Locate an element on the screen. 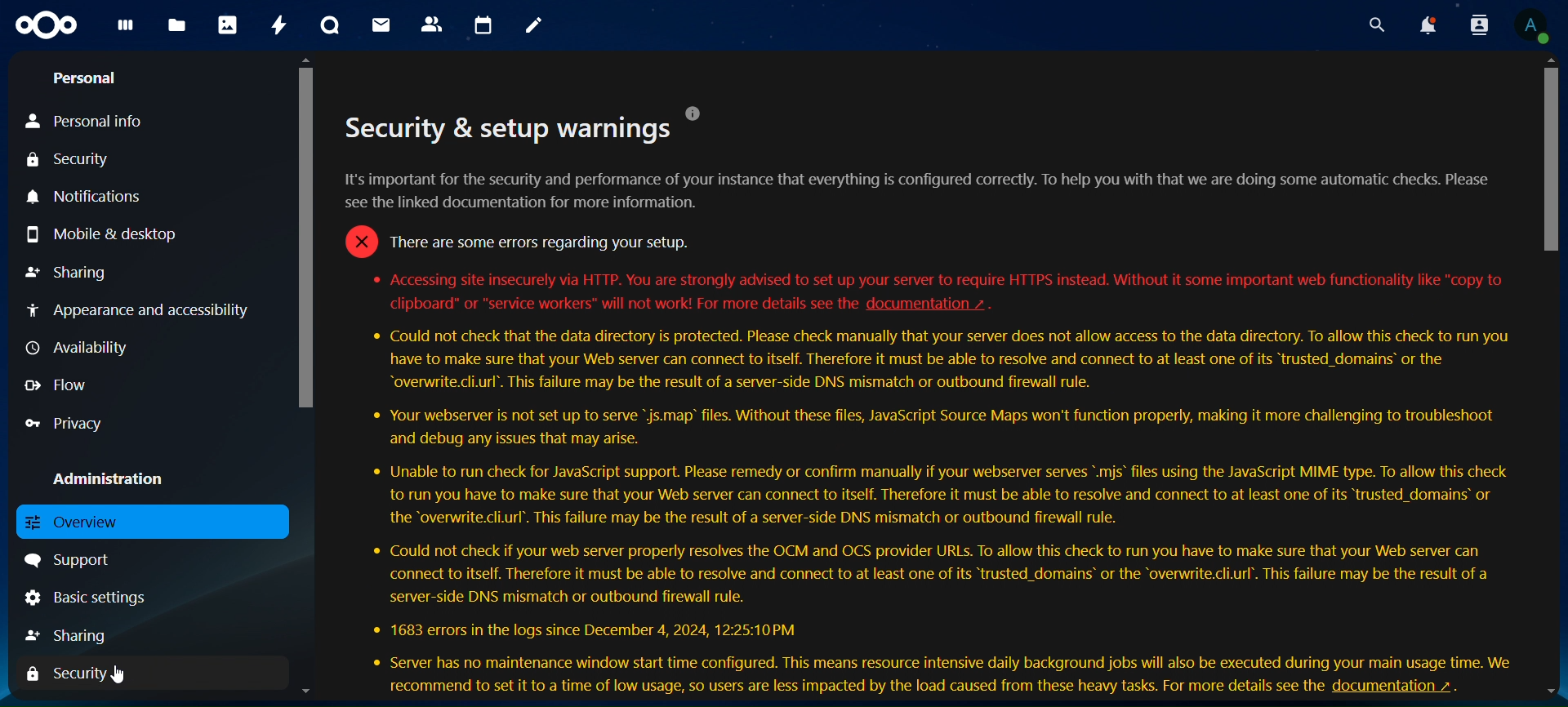 This screenshot has height=707, width=1568. haring is located at coordinates (73, 633).